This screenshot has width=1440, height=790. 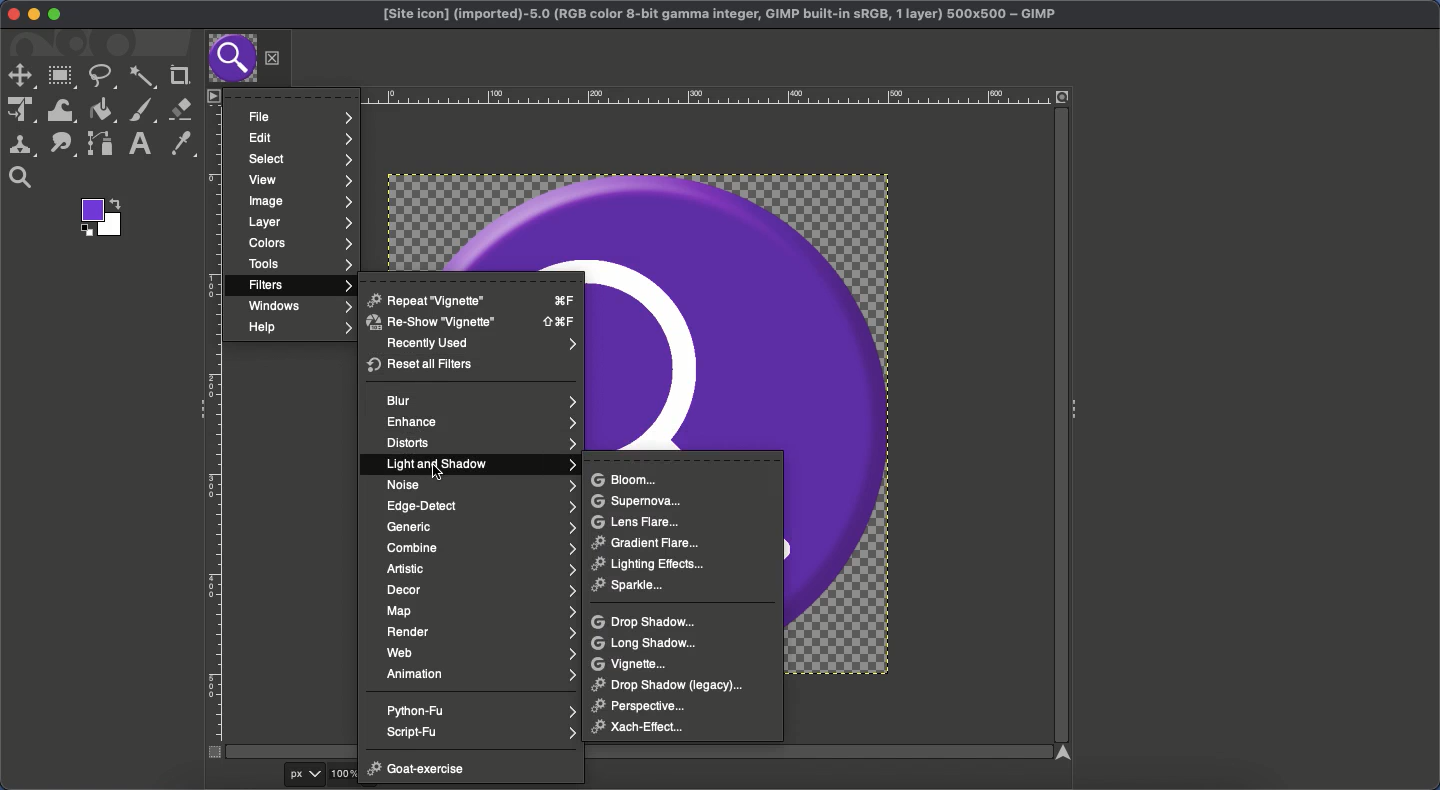 What do you see at coordinates (137, 144) in the screenshot?
I see `Text` at bounding box center [137, 144].